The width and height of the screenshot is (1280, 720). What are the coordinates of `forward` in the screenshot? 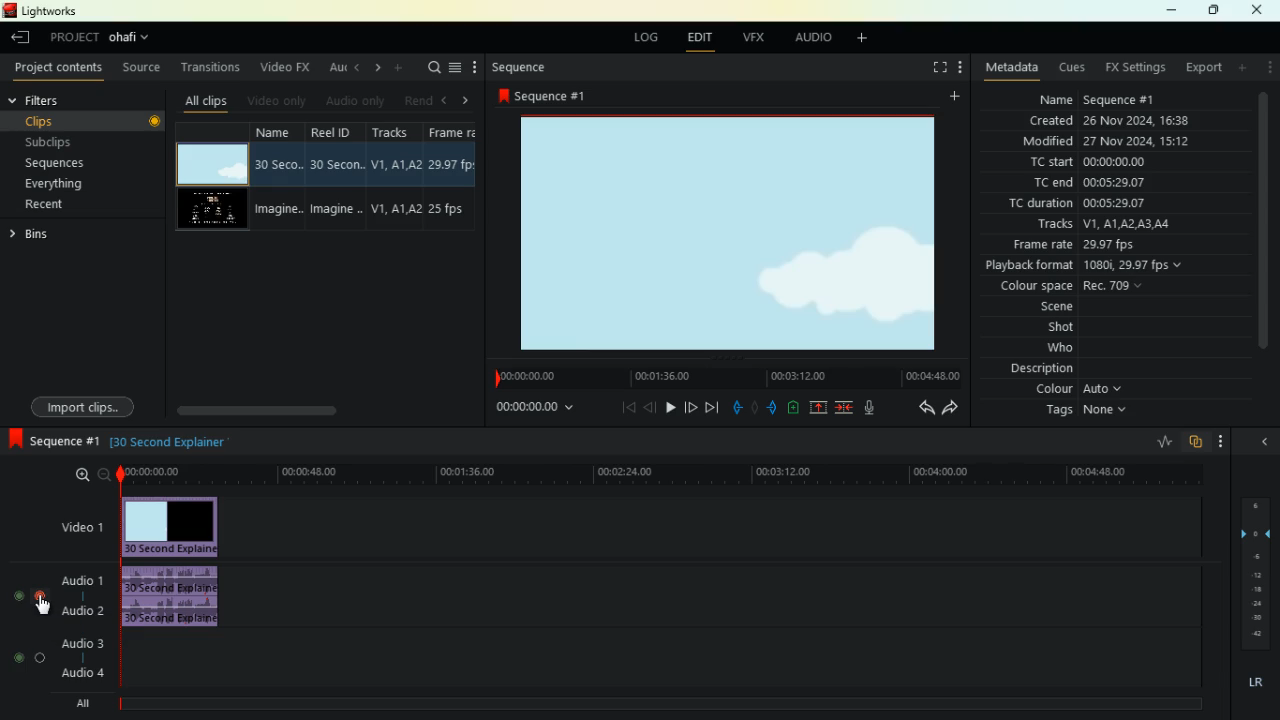 It's located at (953, 408).